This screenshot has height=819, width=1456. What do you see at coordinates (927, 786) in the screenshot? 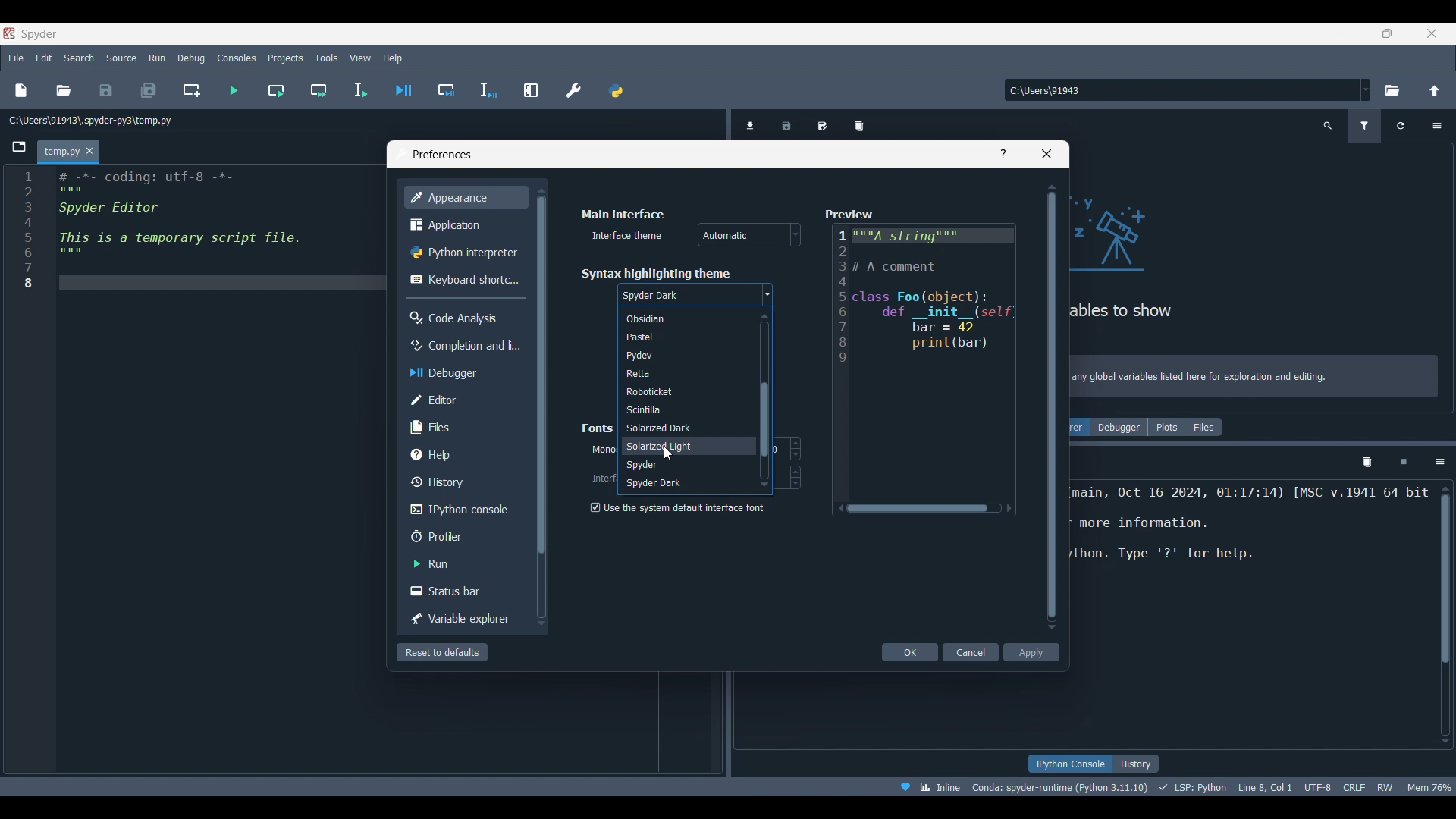
I see `inline` at bounding box center [927, 786].